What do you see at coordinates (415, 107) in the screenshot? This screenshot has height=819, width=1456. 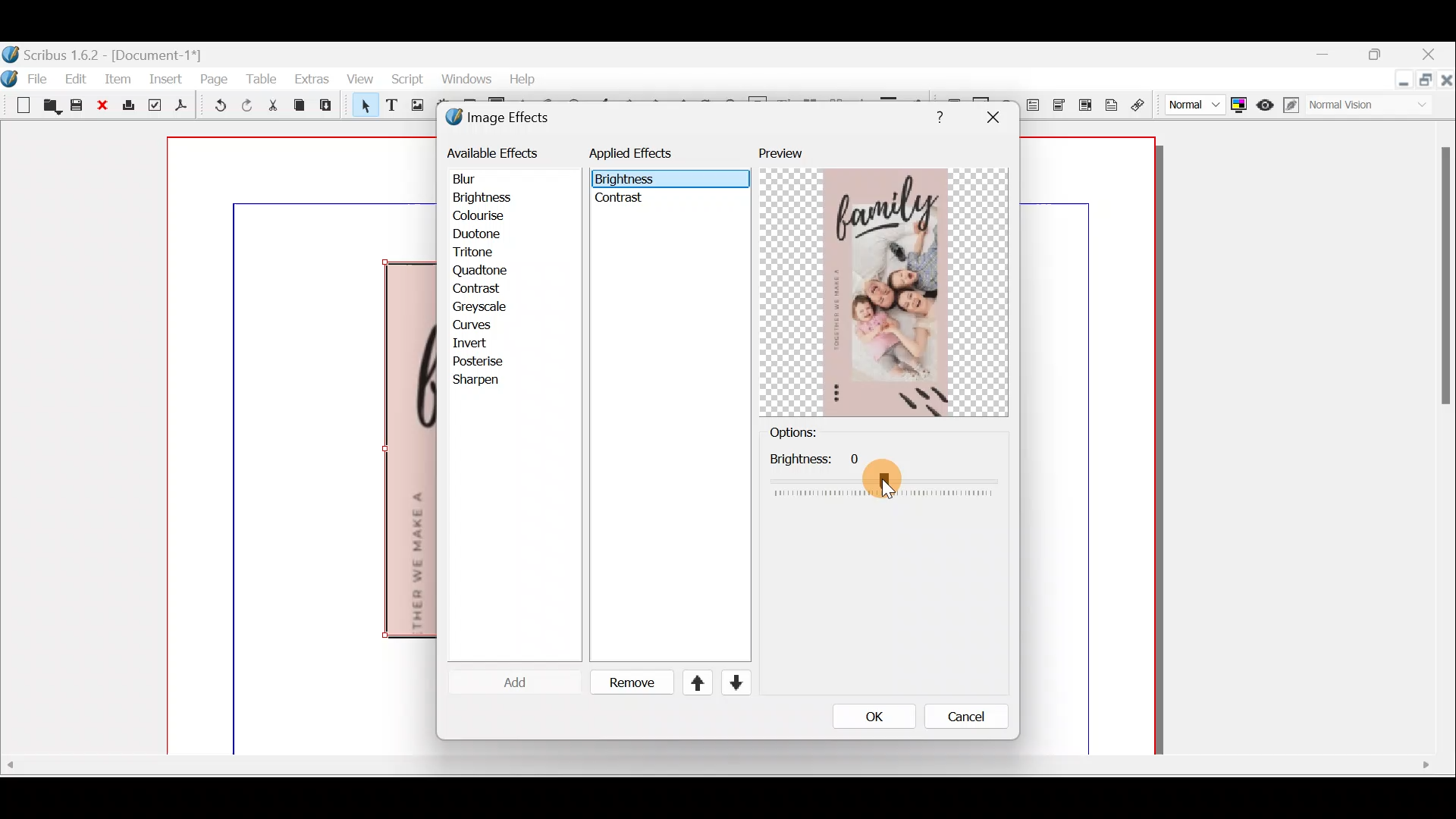 I see `Image frame` at bounding box center [415, 107].